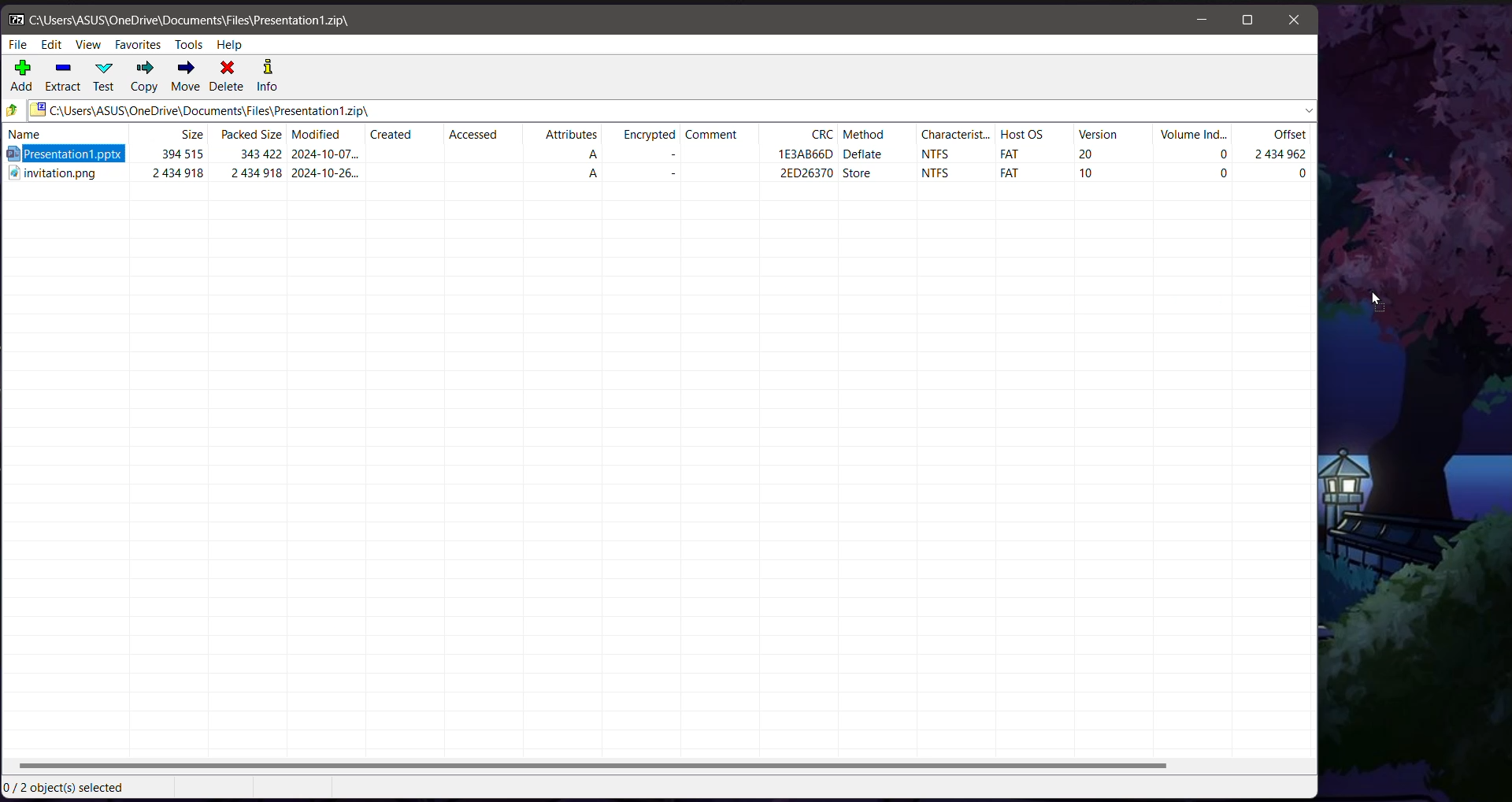 This screenshot has width=1512, height=802. What do you see at coordinates (1296, 20) in the screenshot?
I see `Close` at bounding box center [1296, 20].